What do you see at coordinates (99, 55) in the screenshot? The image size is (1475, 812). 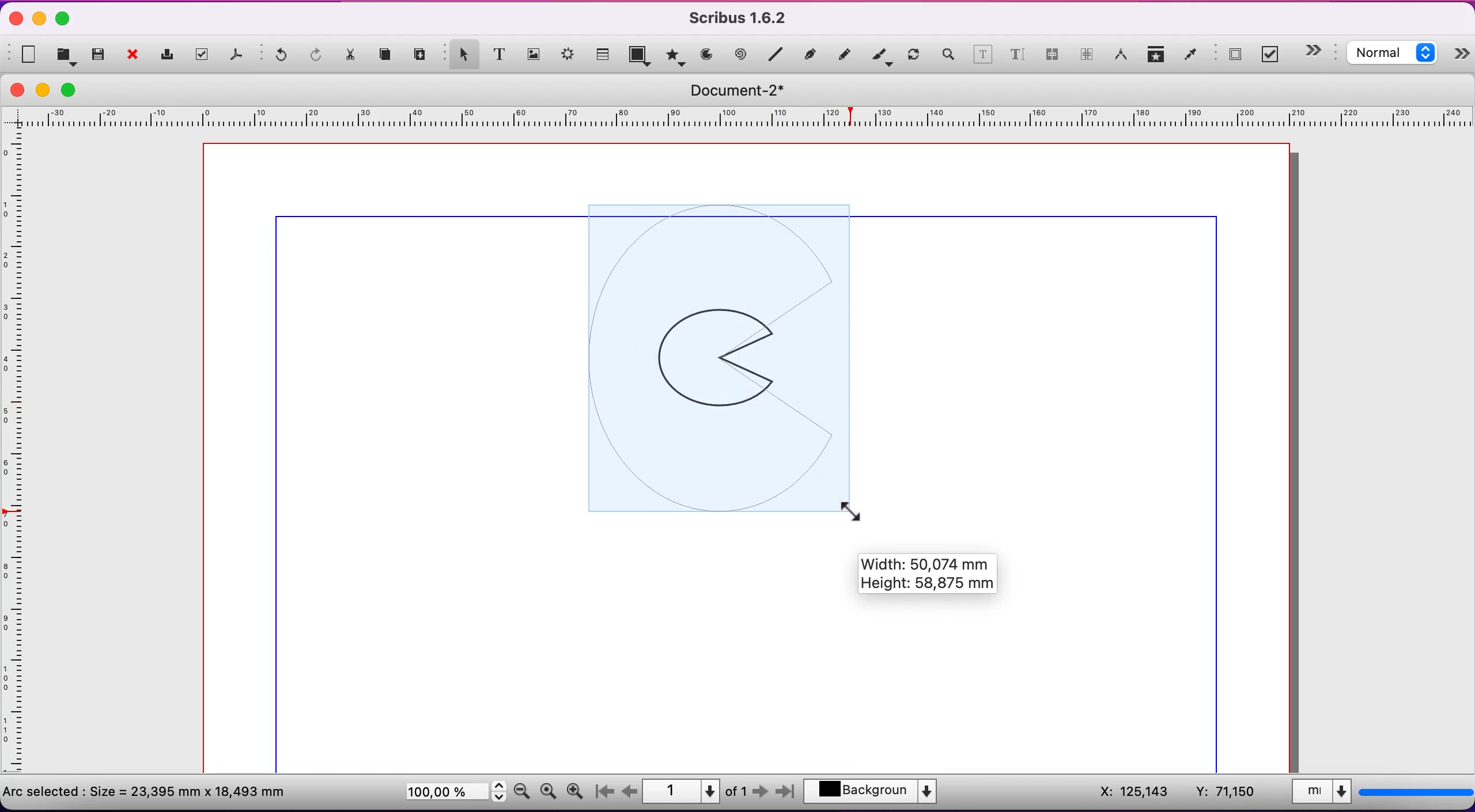 I see `save` at bounding box center [99, 55].